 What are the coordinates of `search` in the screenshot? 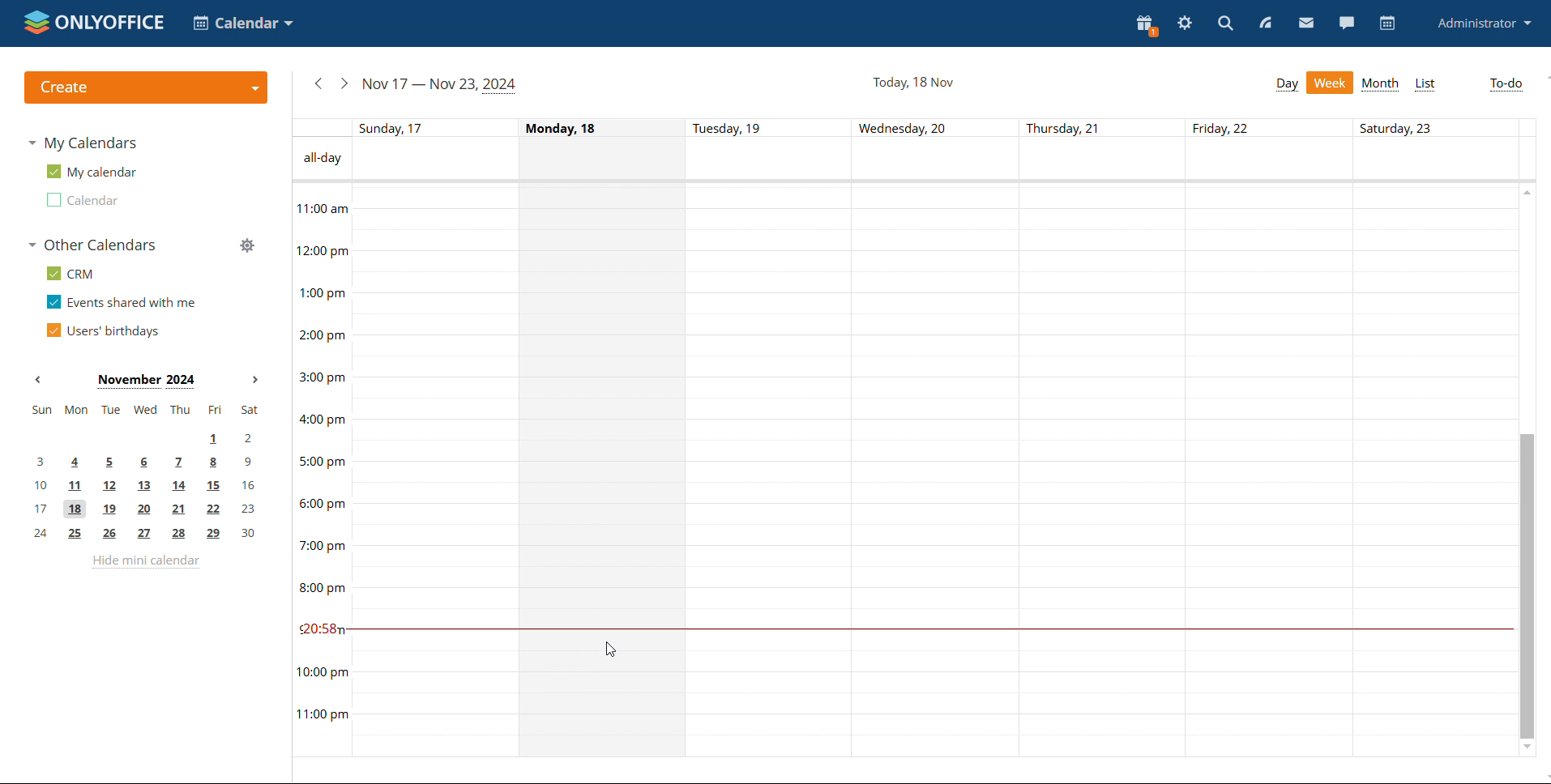 It's located at (1226, 23).